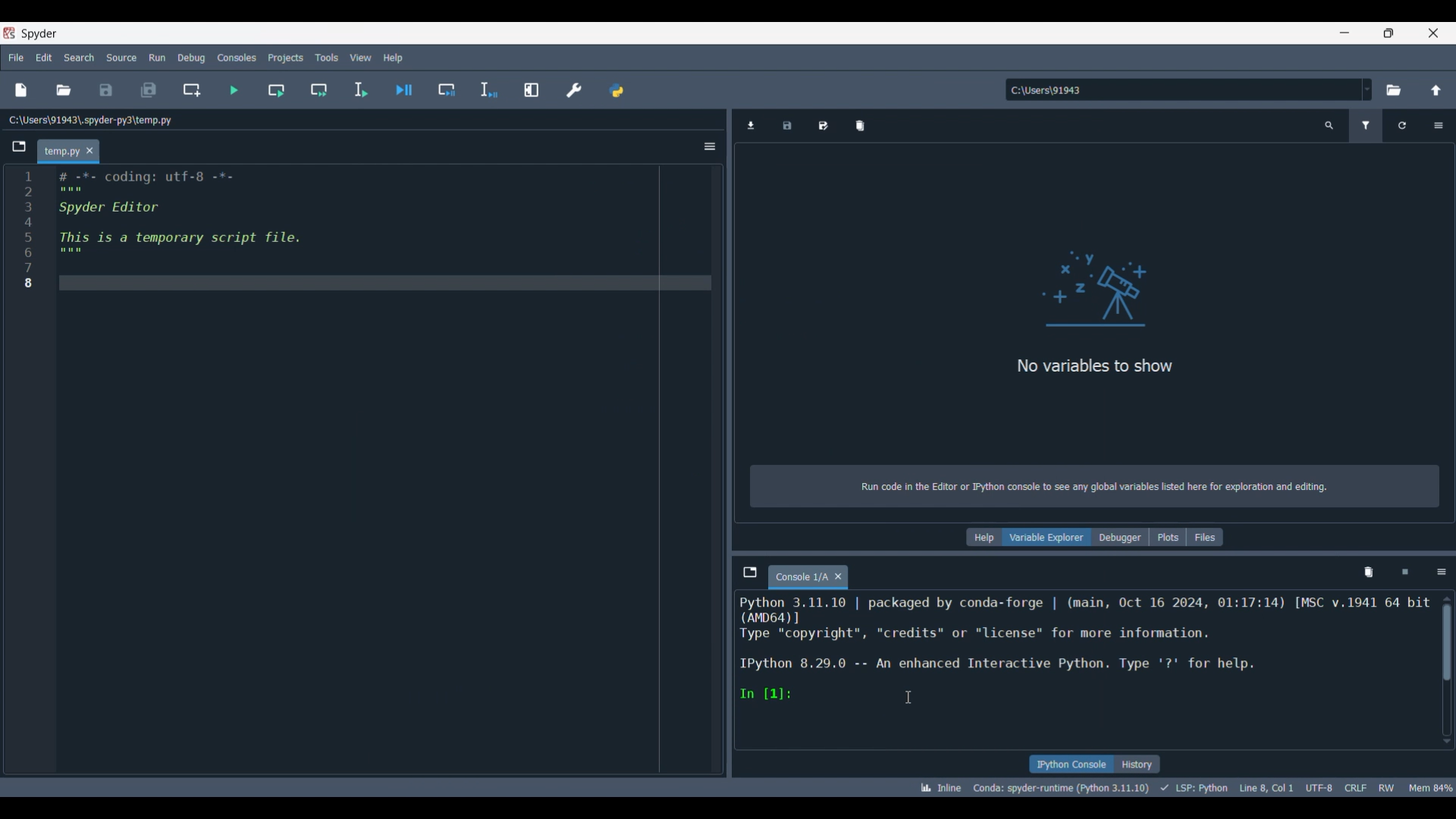 This screenshot has width=1456, height=819. What do you see at coordinates (327, 58) in the screenshot?
I see `Tools menu` at bounding box center [327, 58].